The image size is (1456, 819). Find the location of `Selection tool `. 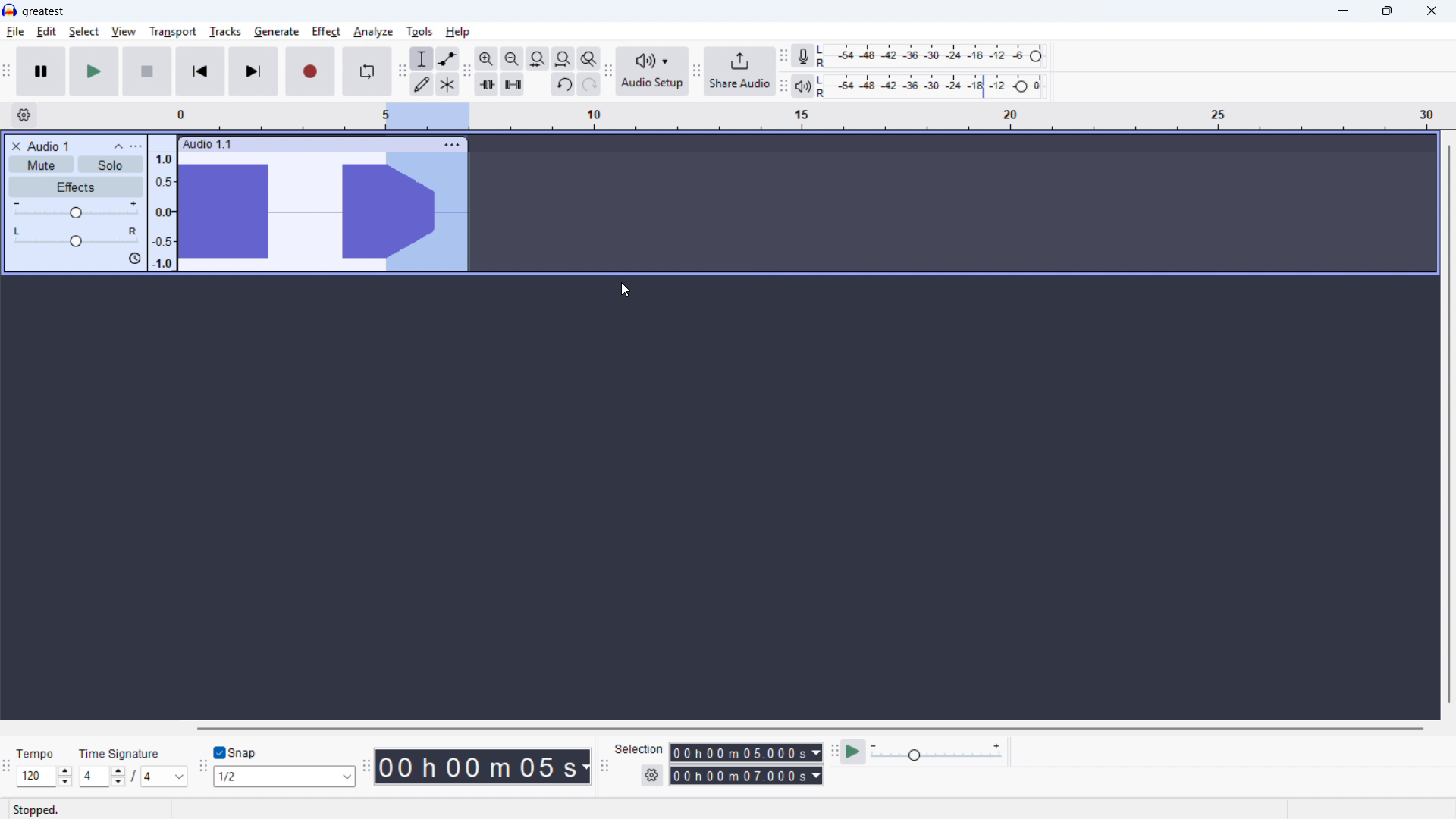

Selection tool  is located at coordinates (422, 58).